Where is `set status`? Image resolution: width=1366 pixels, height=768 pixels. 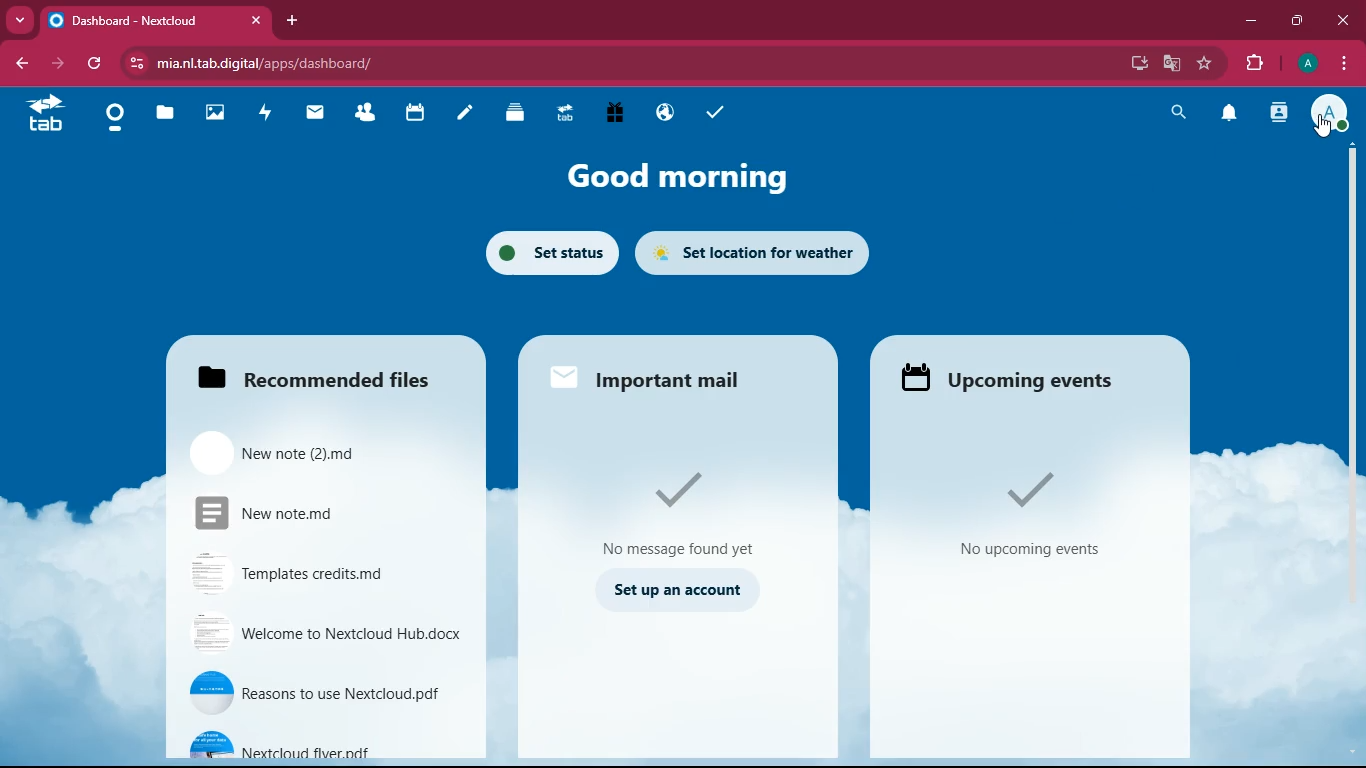 set status is located at coordinates (552, 252).